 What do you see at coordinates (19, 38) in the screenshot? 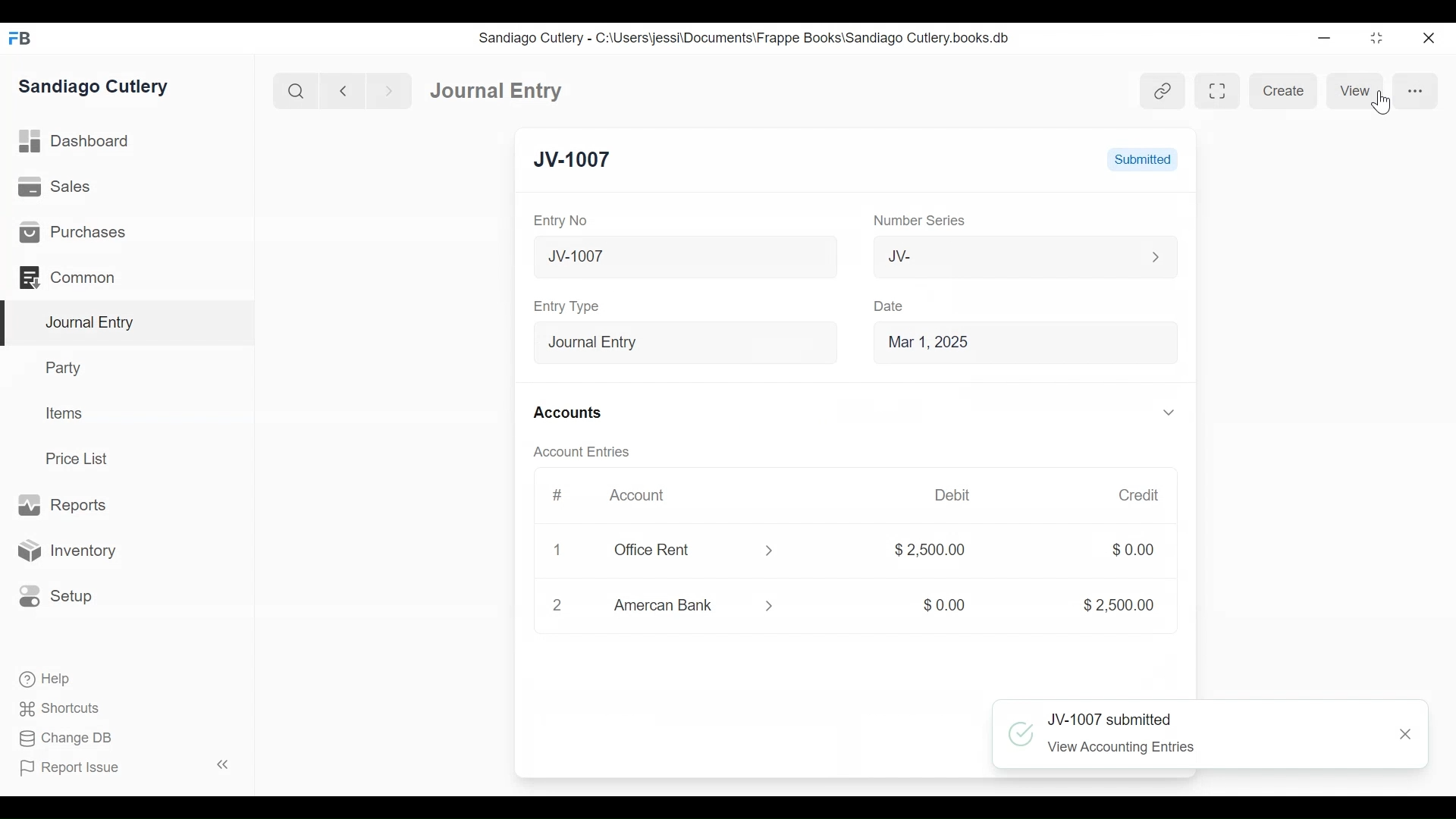
I see `FrappeBooks logo` at bounding box center [19, 38].